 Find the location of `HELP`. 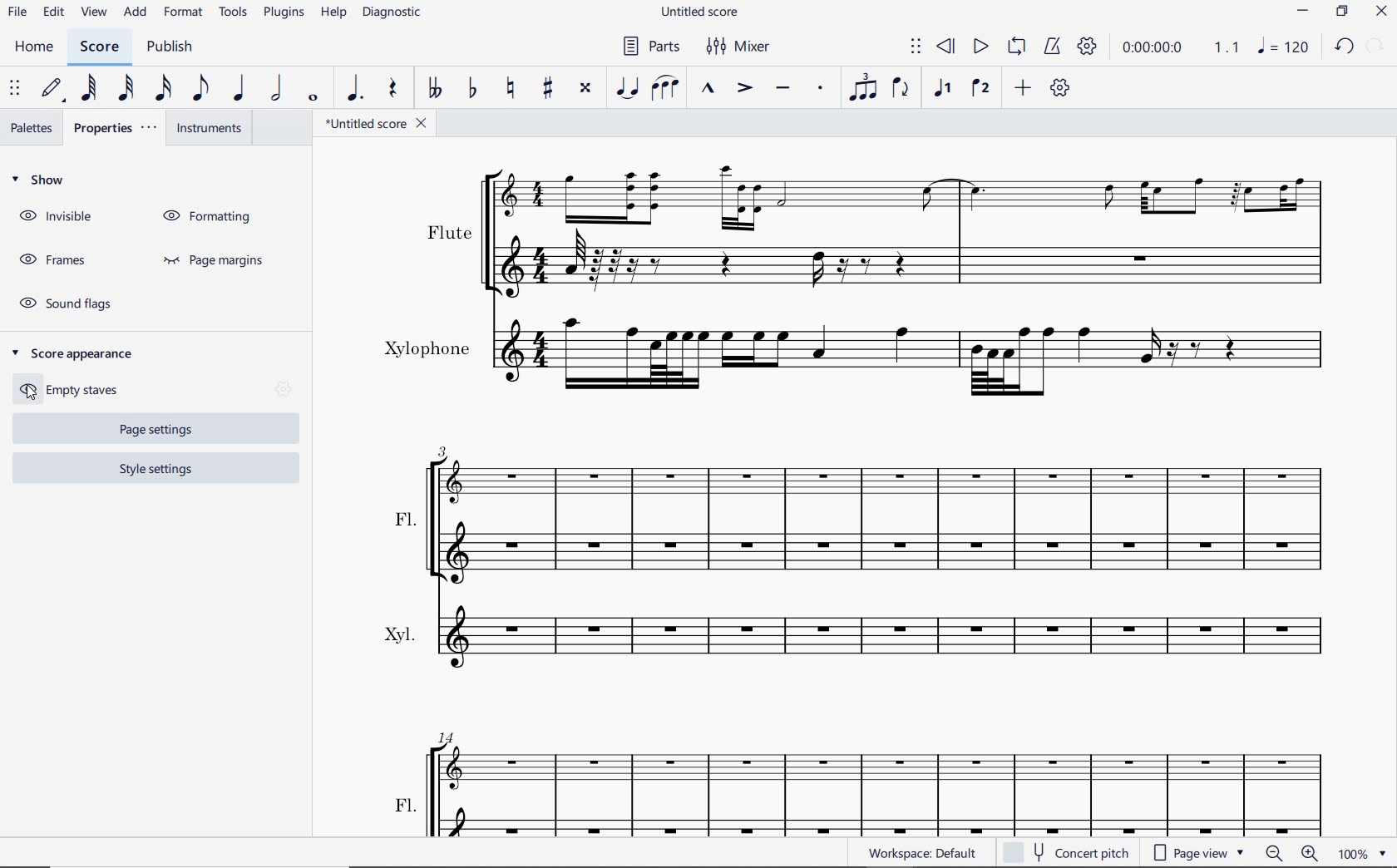

HELP is located at coordinates (333, 16).